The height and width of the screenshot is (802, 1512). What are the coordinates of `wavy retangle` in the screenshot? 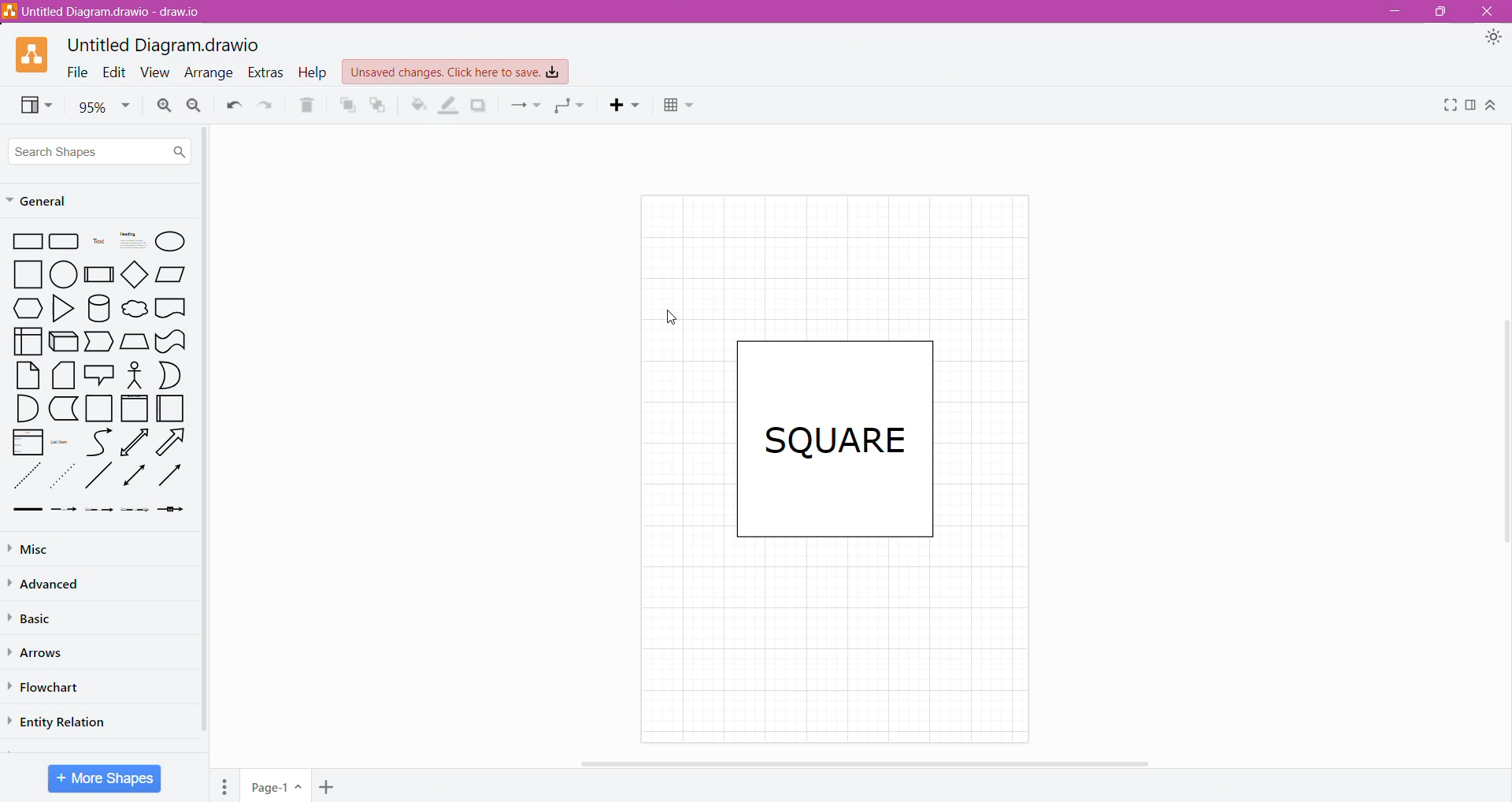 It's located at (172, 340).